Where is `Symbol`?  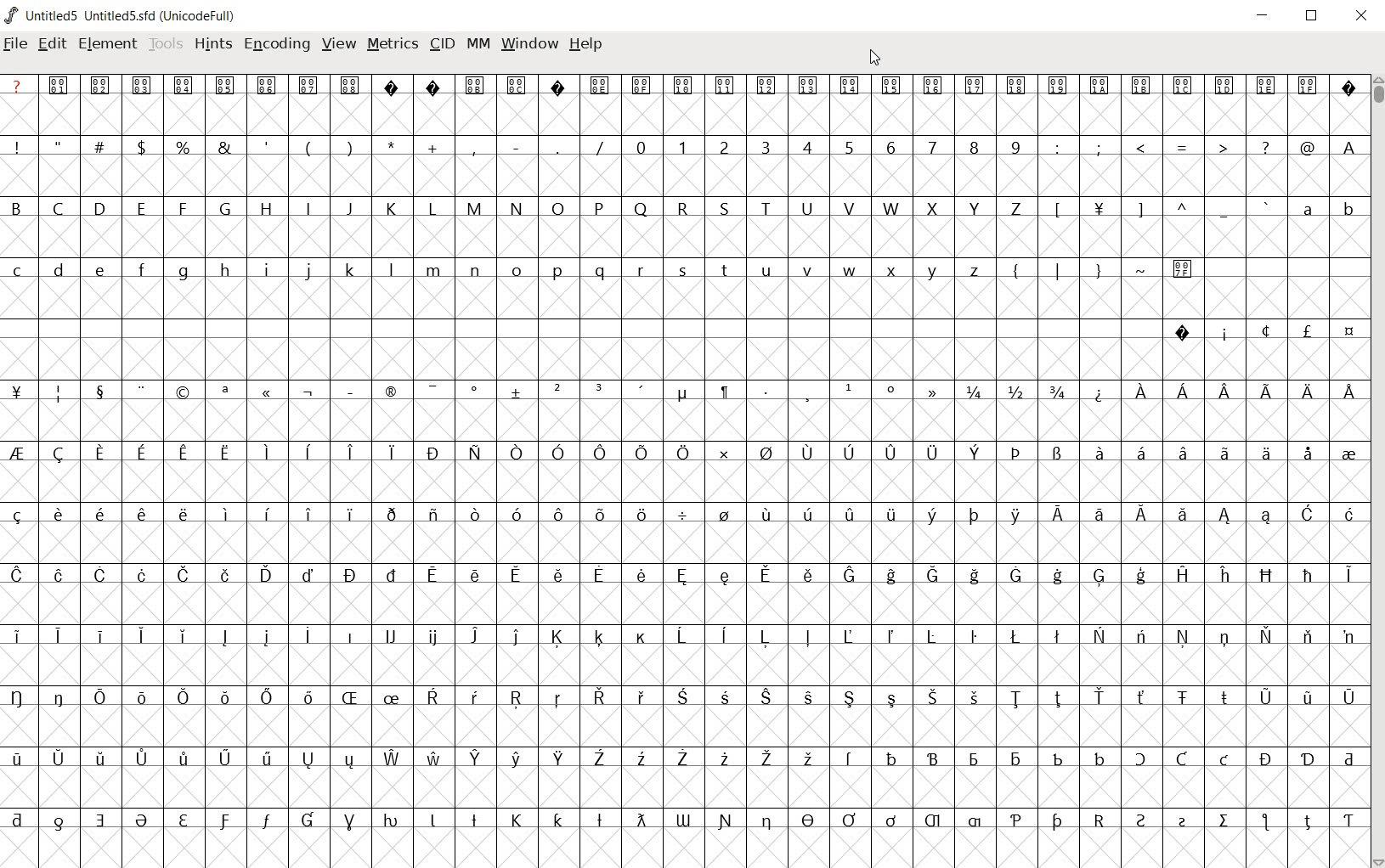 Symbol is located at coordinates (1102, 87).